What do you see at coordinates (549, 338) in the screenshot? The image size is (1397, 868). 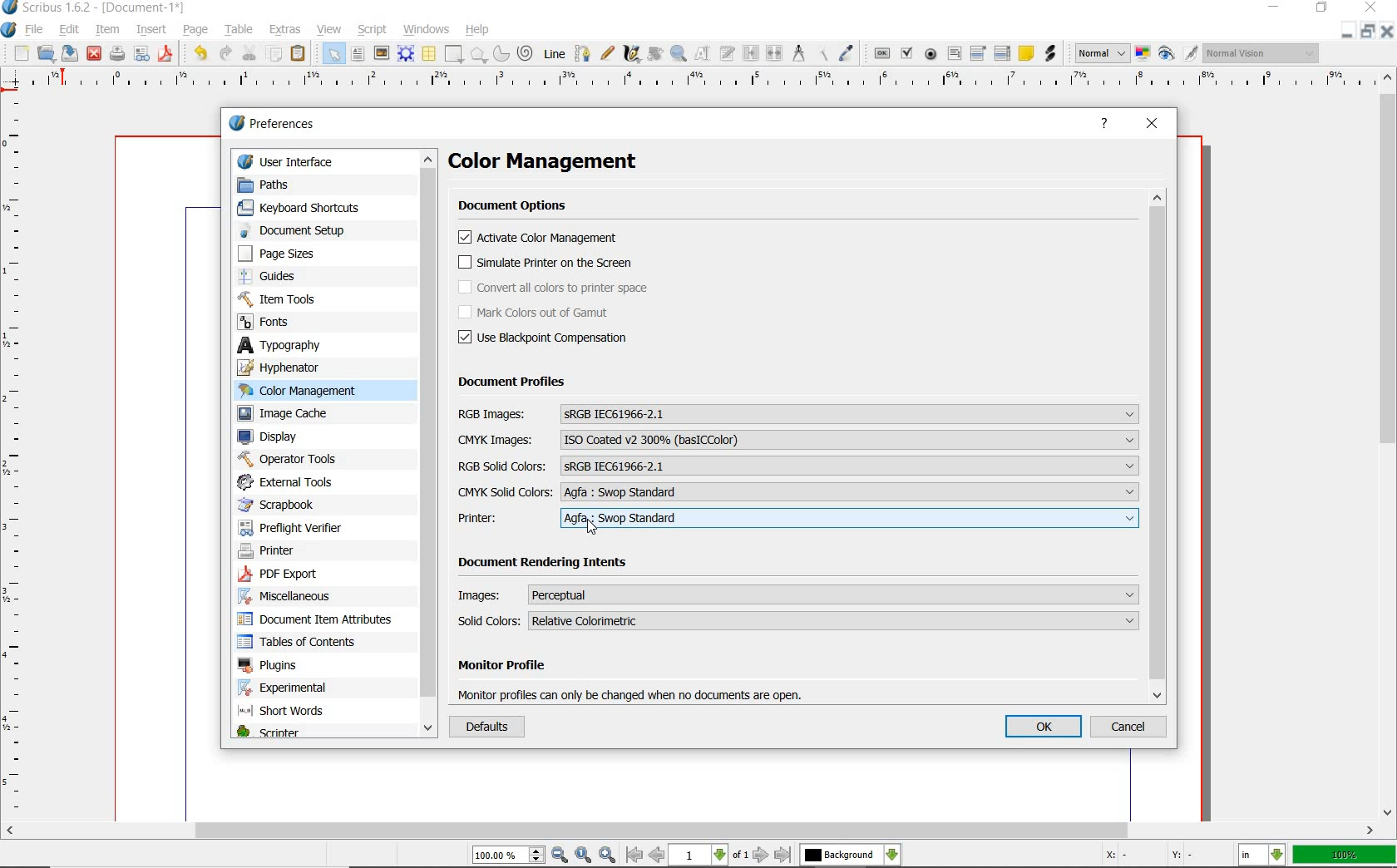 I see `Use Blackpoint compensation` at bounding box center [549, 338].